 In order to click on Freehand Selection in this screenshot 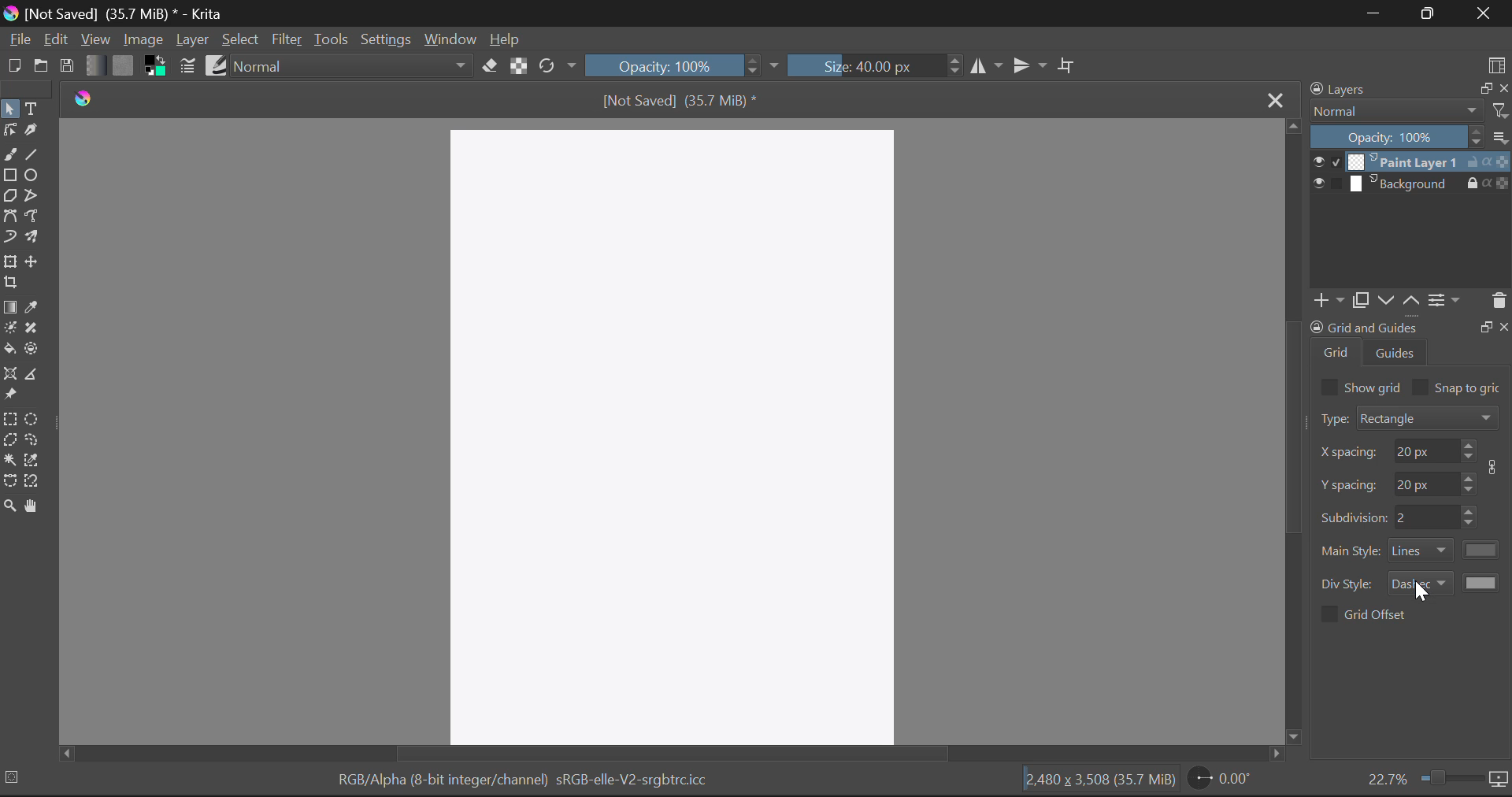, I will do `click(34, 441)`.